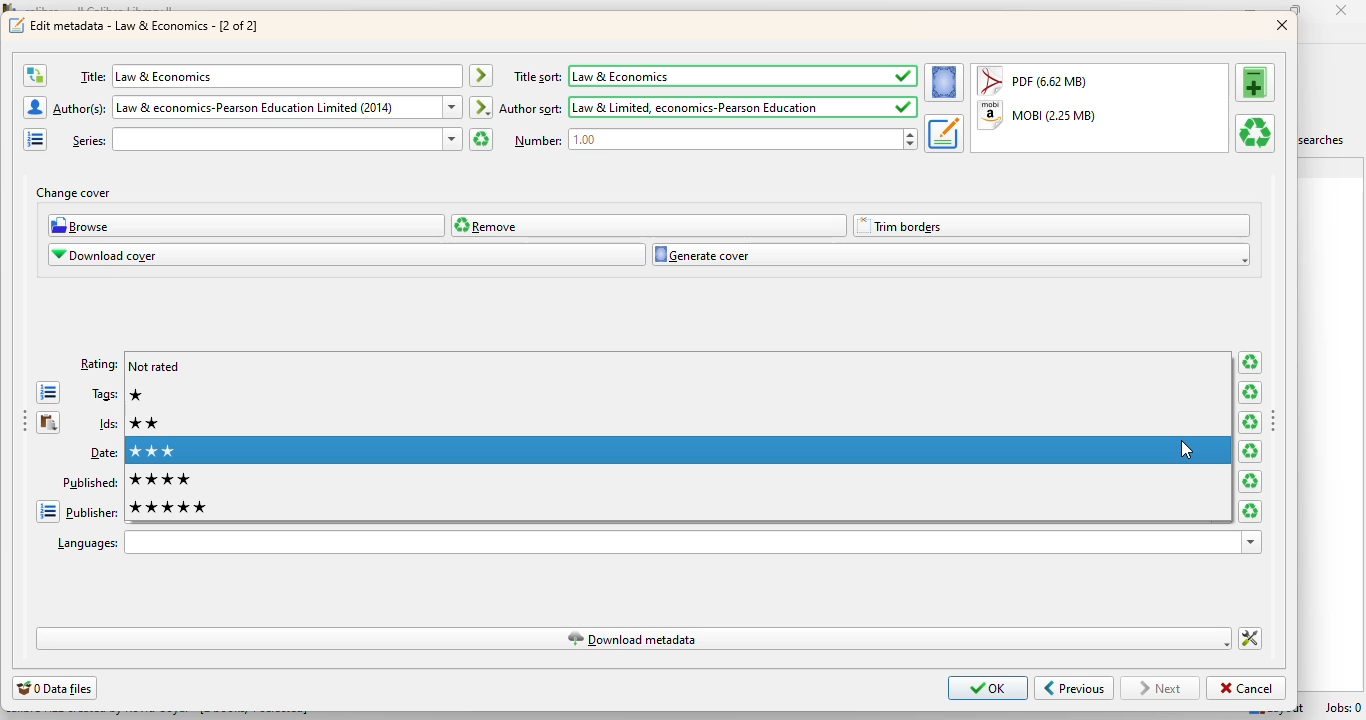 The image size is (1366, 720). I want to click on Not rated, so click(154, 366).